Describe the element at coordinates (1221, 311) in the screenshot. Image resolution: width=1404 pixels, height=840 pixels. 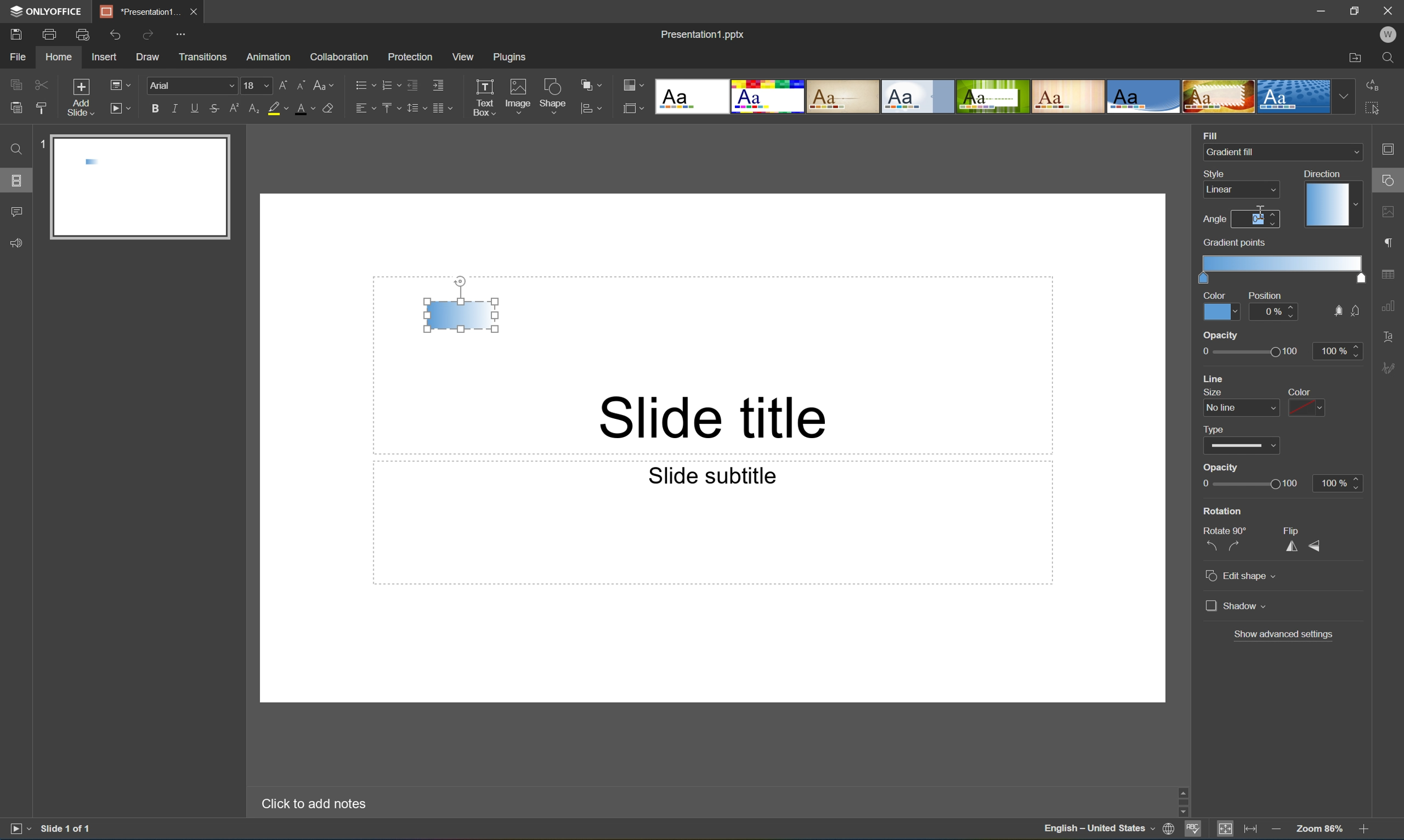
I see `Color` at that location.